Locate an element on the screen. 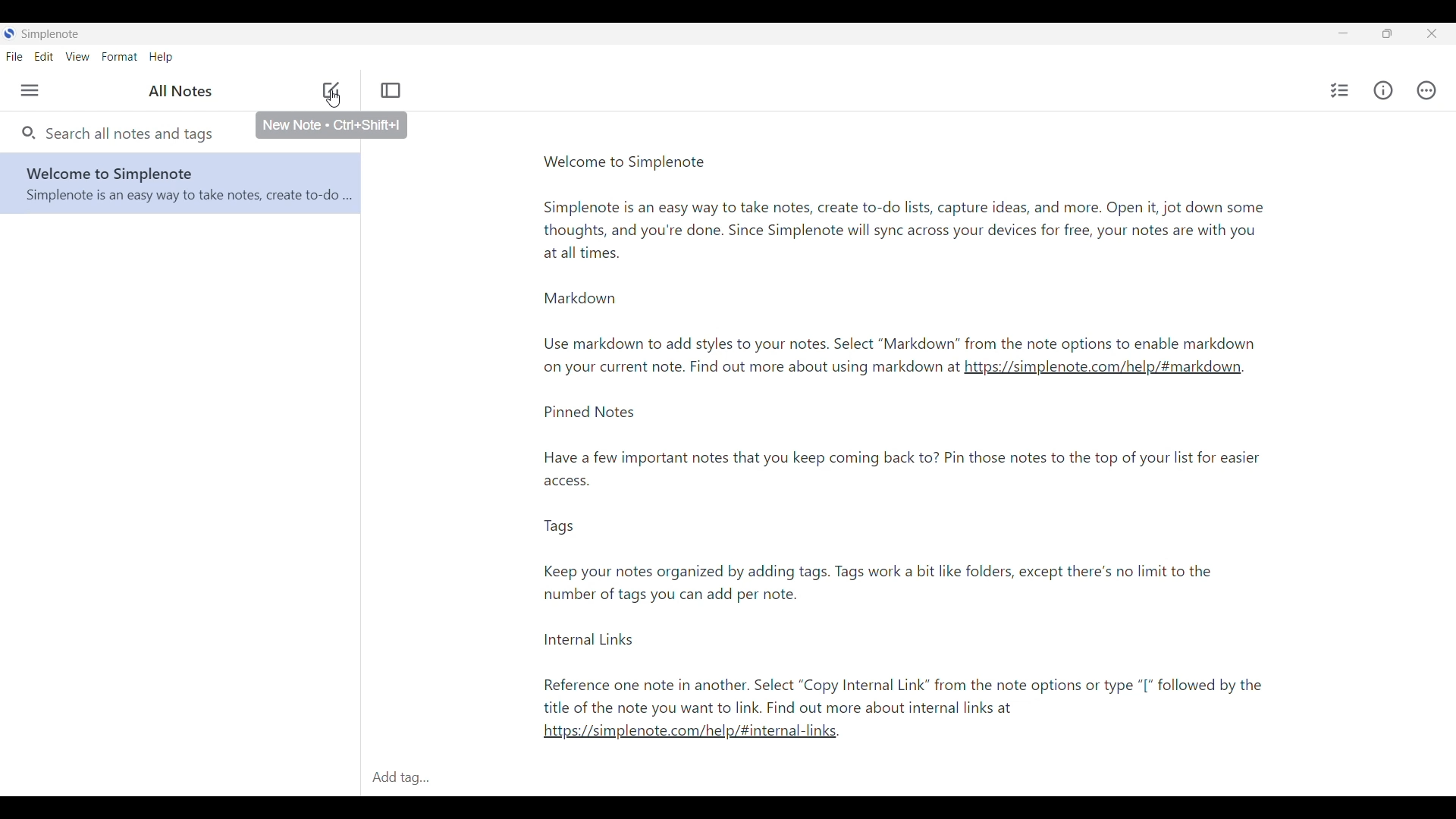 The image size is (1456, 819). Minimize is located at coordinates (1344, 33).